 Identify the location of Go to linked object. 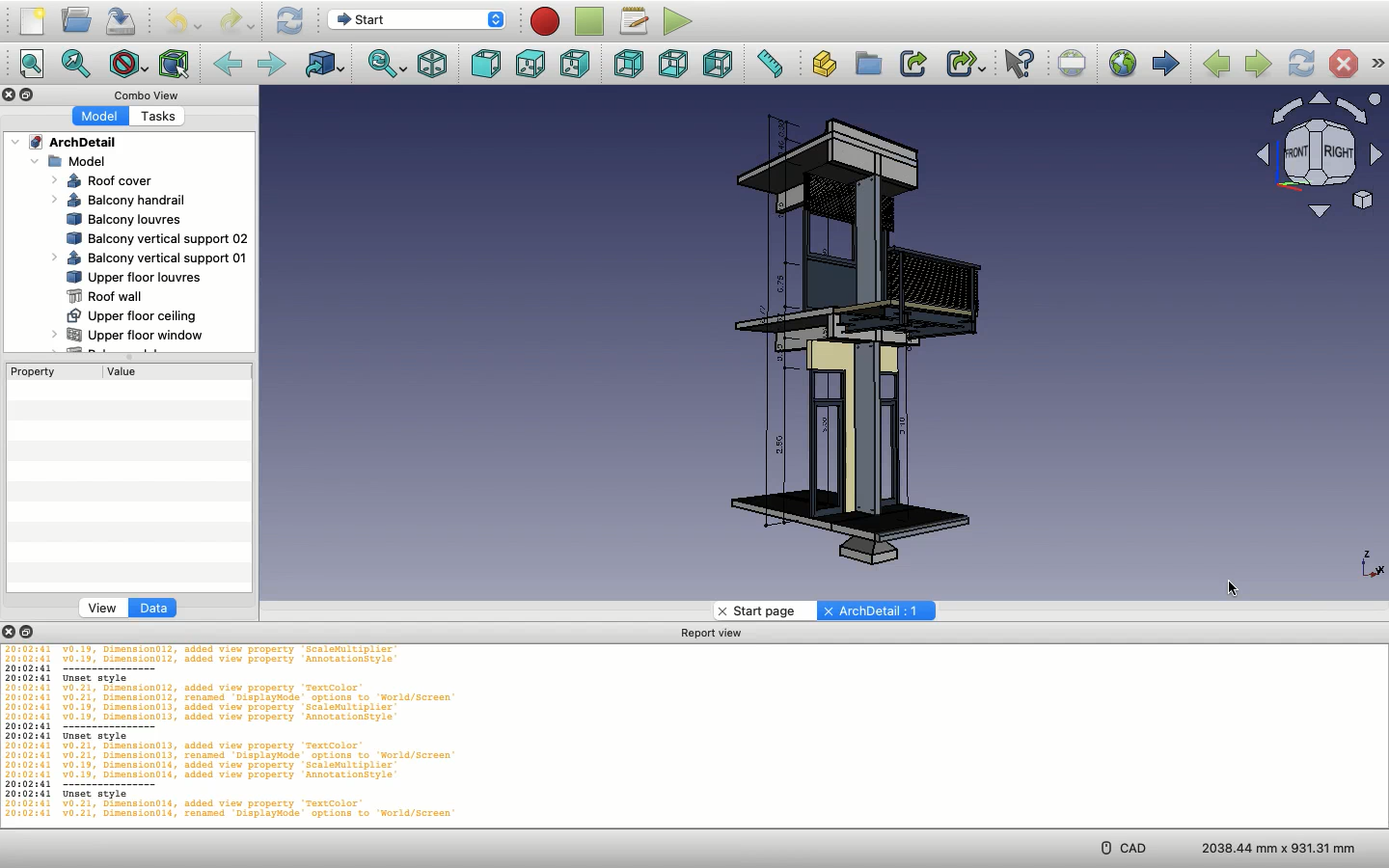
(324, 62).